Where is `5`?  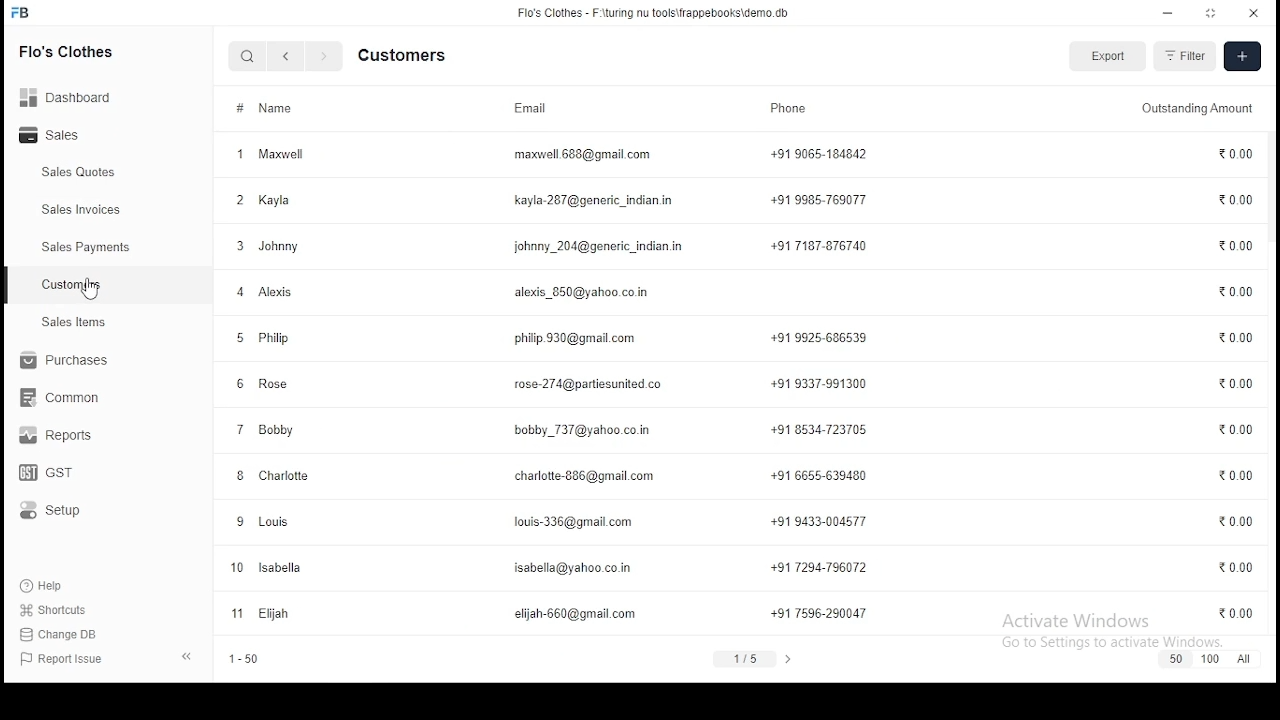 5 is located at coordinates (240, 339).